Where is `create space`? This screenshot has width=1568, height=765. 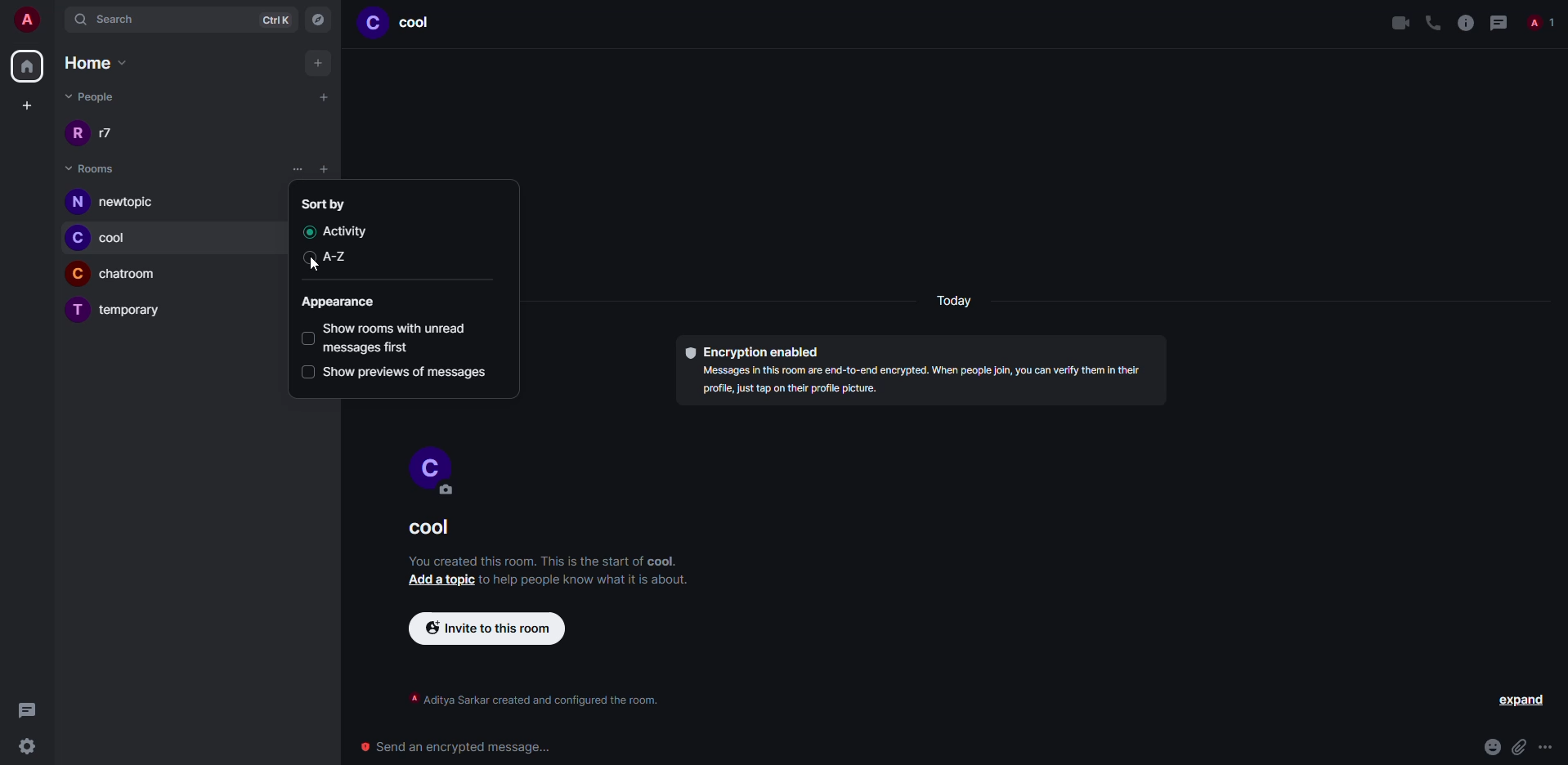 create space is located at coordinates (23, 105).